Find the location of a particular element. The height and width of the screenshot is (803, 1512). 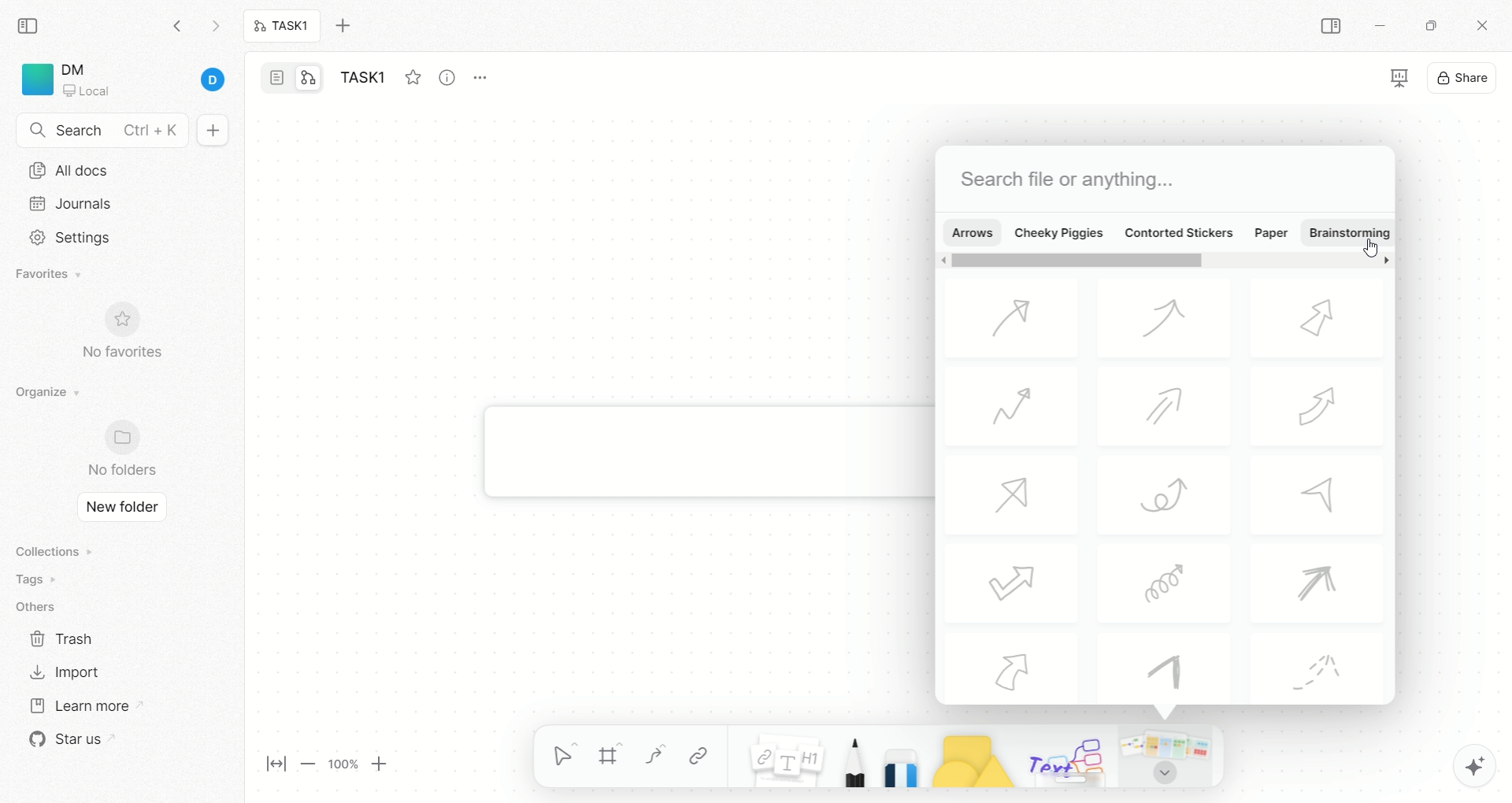

scroll bar is located at coordinates (1165, 262).